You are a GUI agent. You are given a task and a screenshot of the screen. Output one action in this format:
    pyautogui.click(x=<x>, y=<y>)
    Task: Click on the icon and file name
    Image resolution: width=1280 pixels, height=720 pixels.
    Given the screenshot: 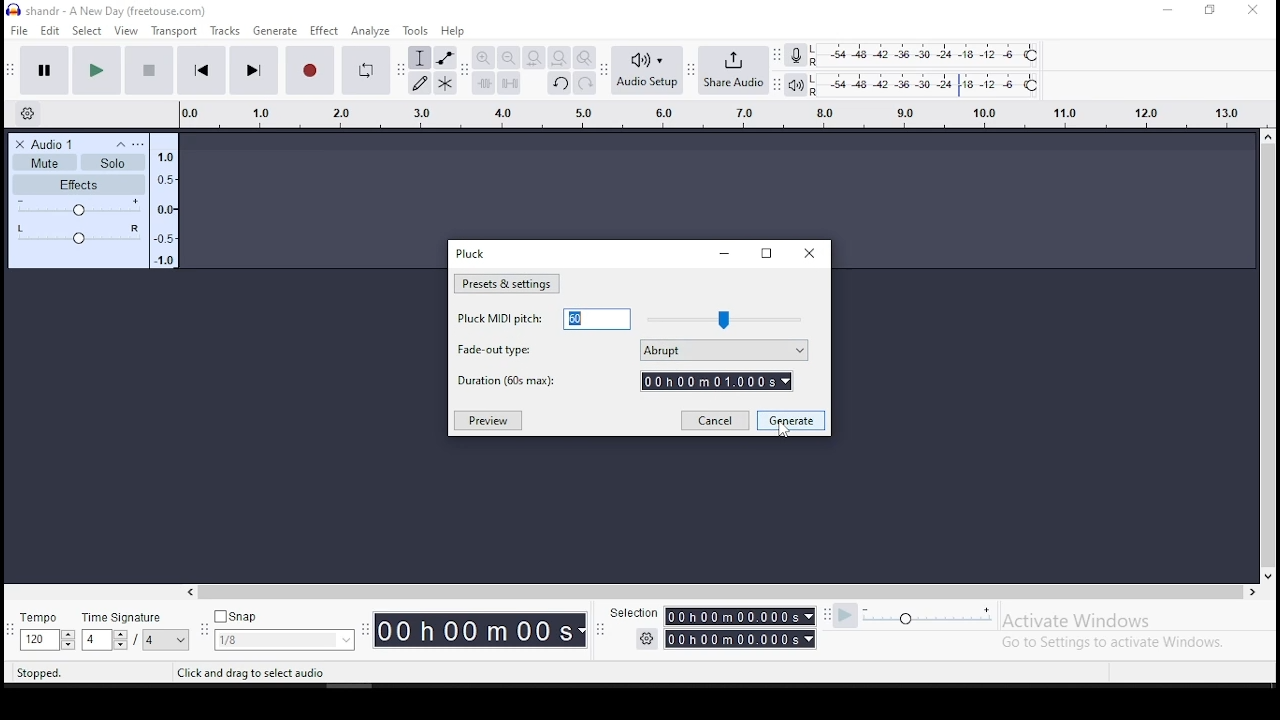 What is the action you would take?
    pyautogui.click(x=107, y=11)
    